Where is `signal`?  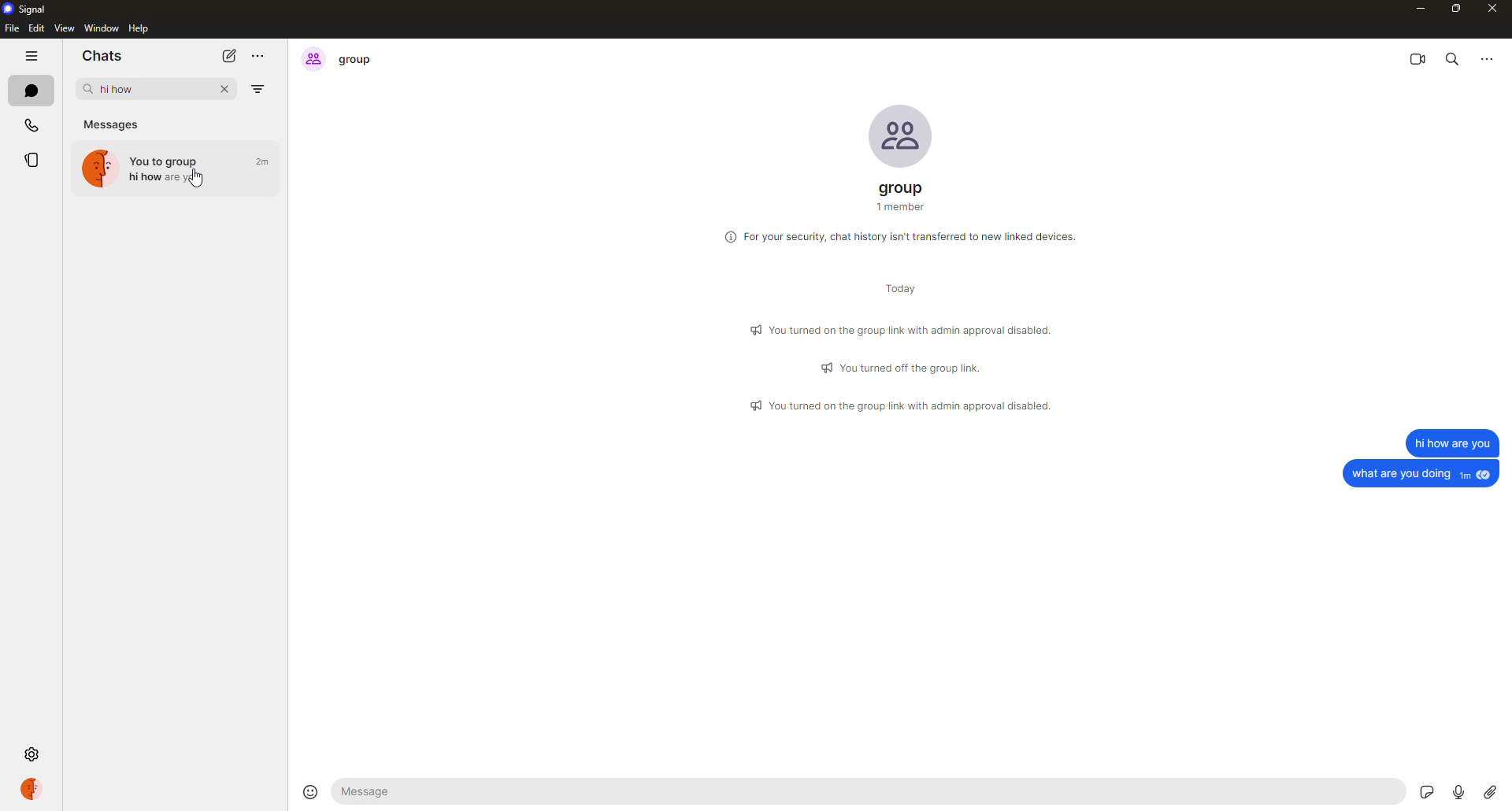
signal is located at coordinates (28, 9).